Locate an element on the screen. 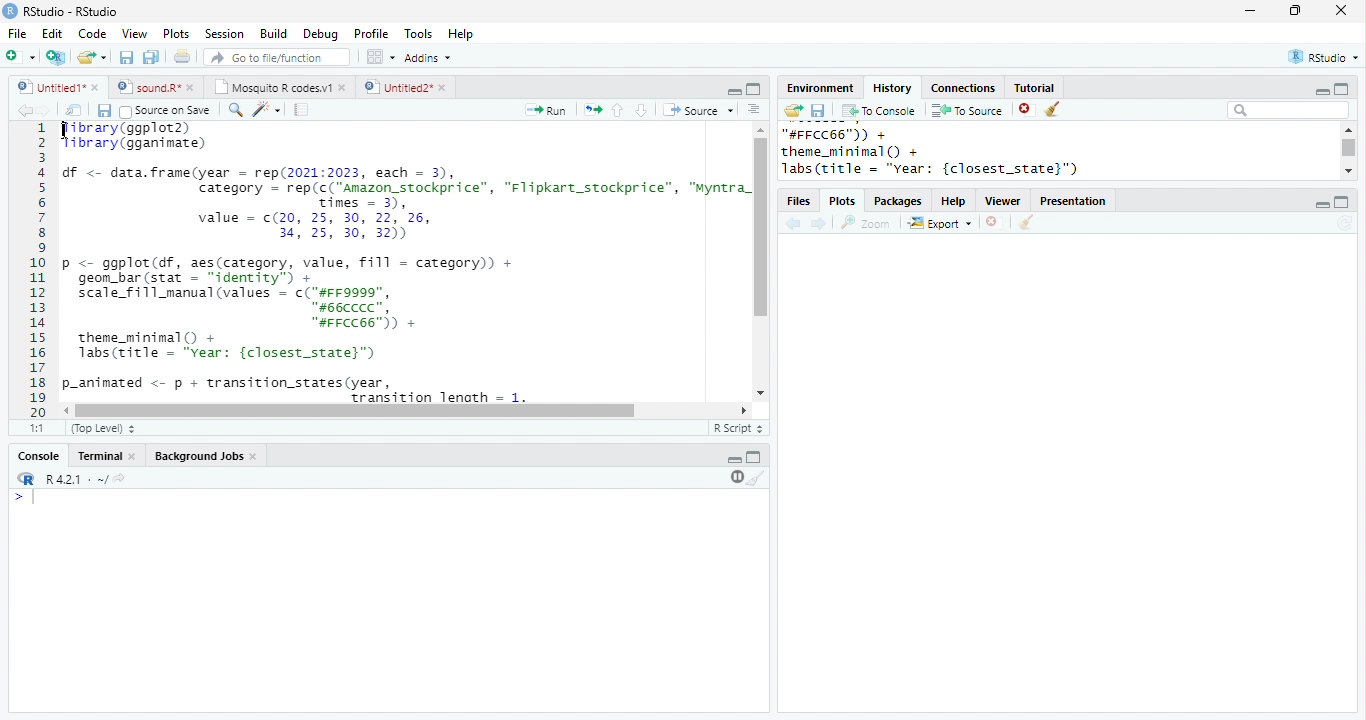 Image resolution: width=1366 pixels, height=720 pixels. library(ggplot2) library(gganimate) is located at coordinates (145, 136).